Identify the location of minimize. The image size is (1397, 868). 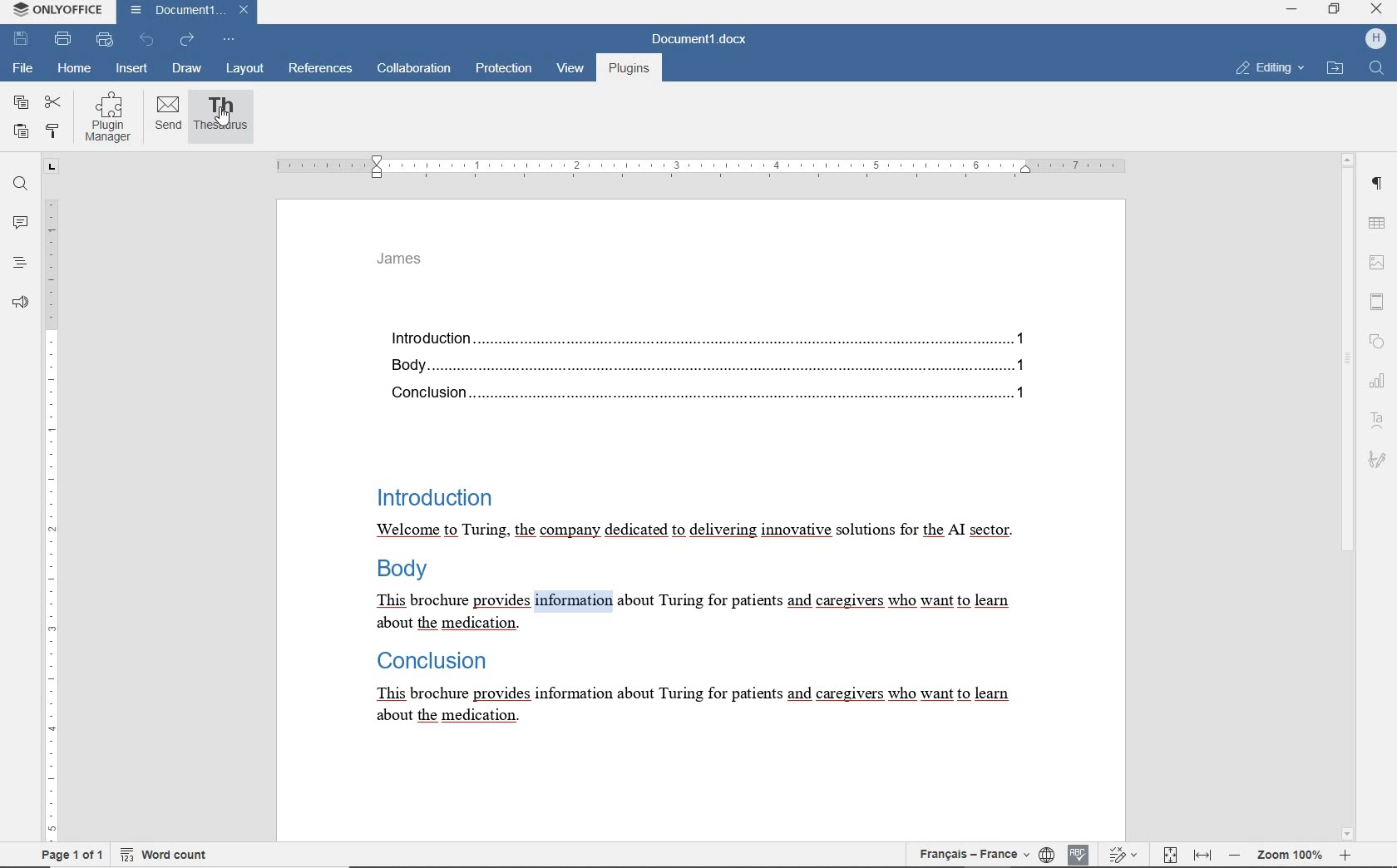
(1296, 12).